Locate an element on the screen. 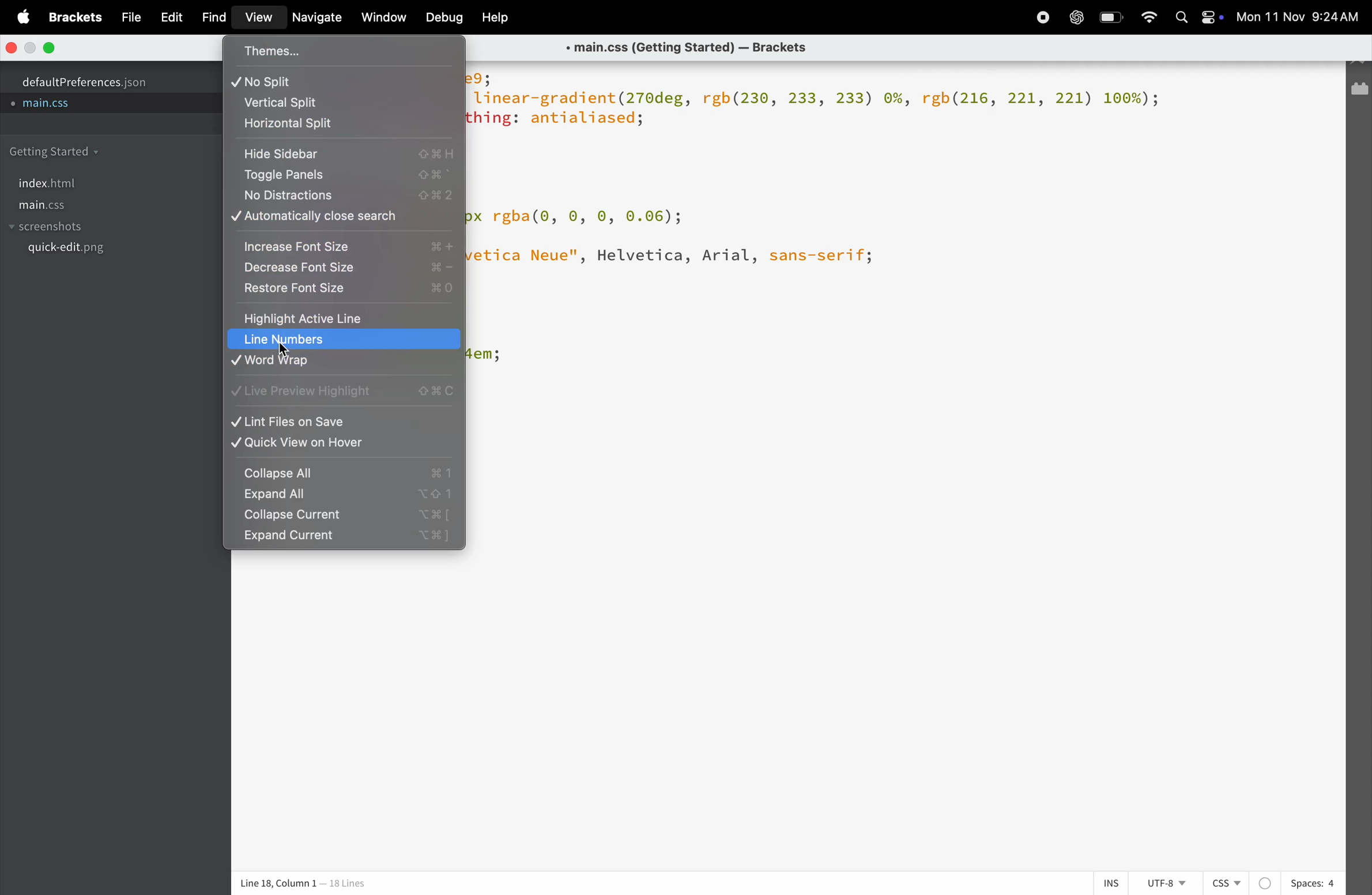 The height and width of the screenshot is (895, 1372). collapse current is located at coordinates (342, 517).